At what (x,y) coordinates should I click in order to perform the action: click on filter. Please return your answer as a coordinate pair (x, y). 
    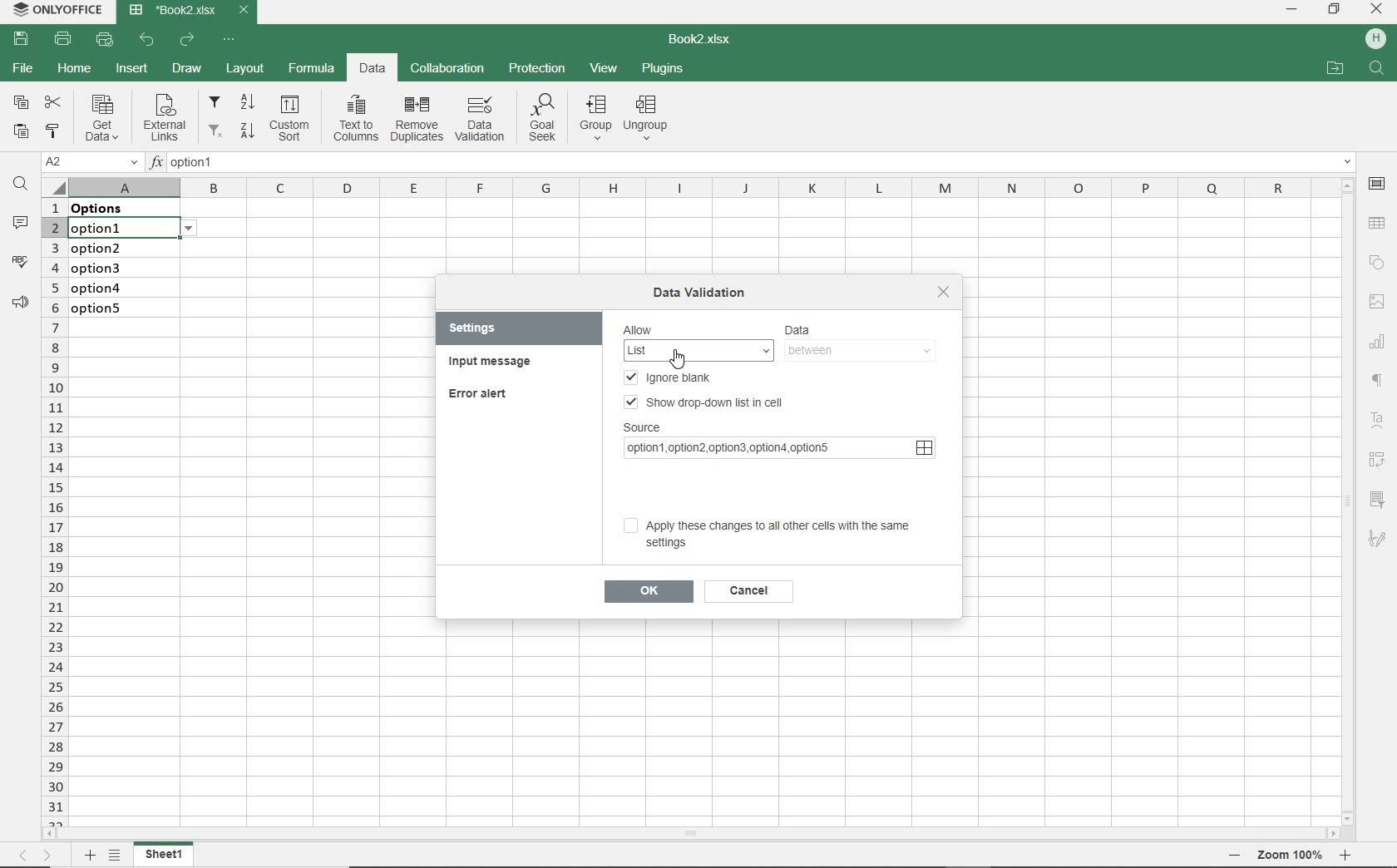
    Looking at the image, I should click on (1380, 496).